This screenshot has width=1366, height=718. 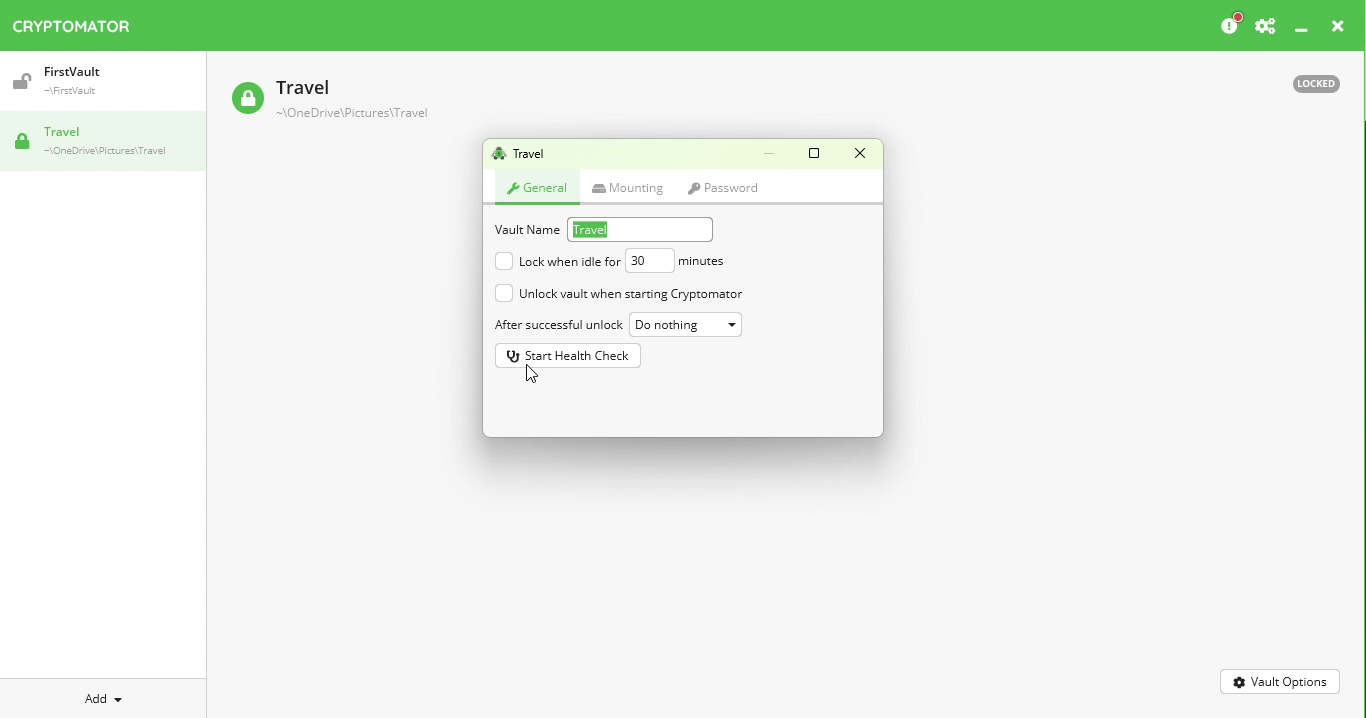 I want to click on Close, so click(x=859, y=155).